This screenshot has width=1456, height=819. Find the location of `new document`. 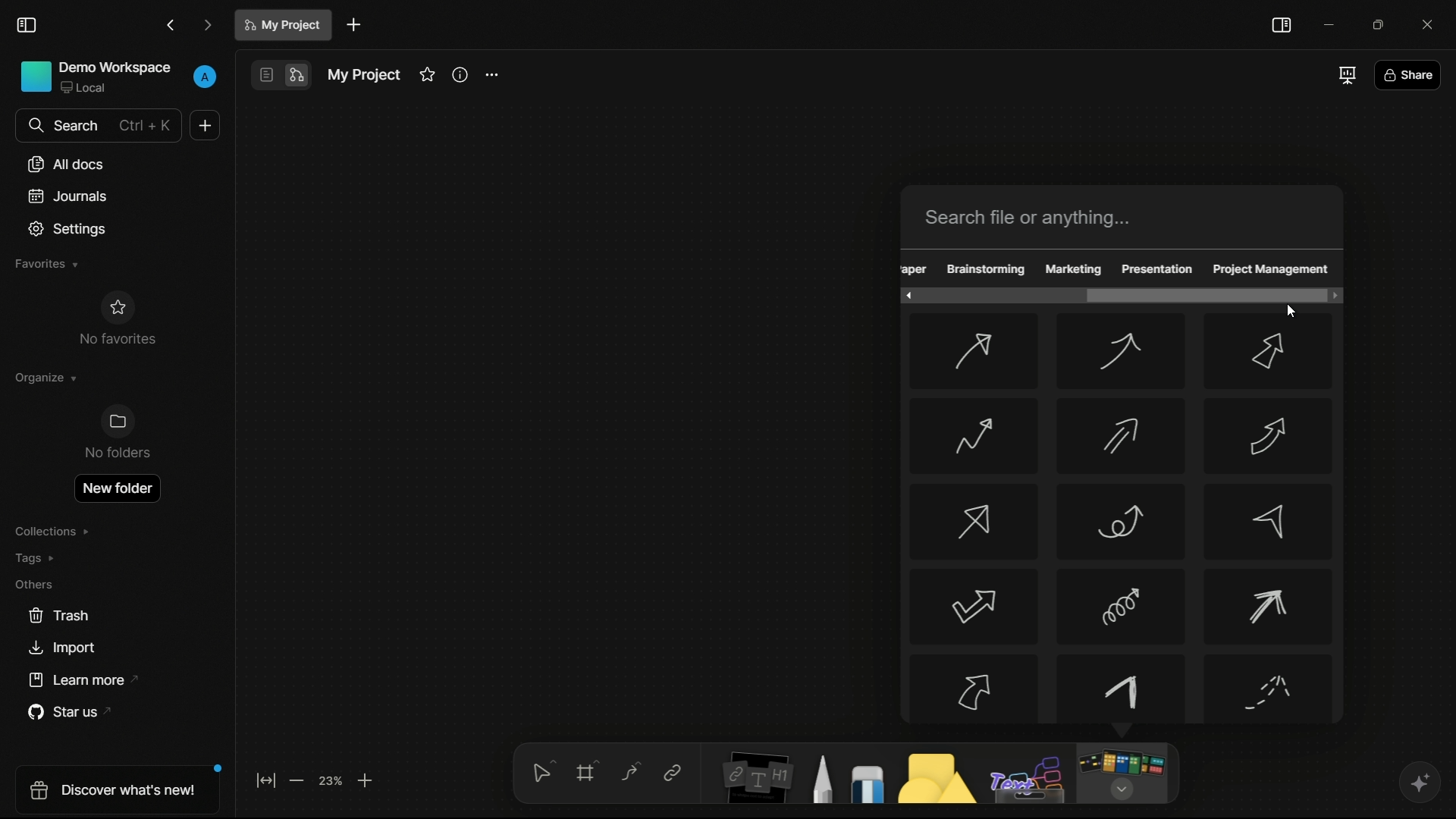

new document is located at coordinates (354, 25).